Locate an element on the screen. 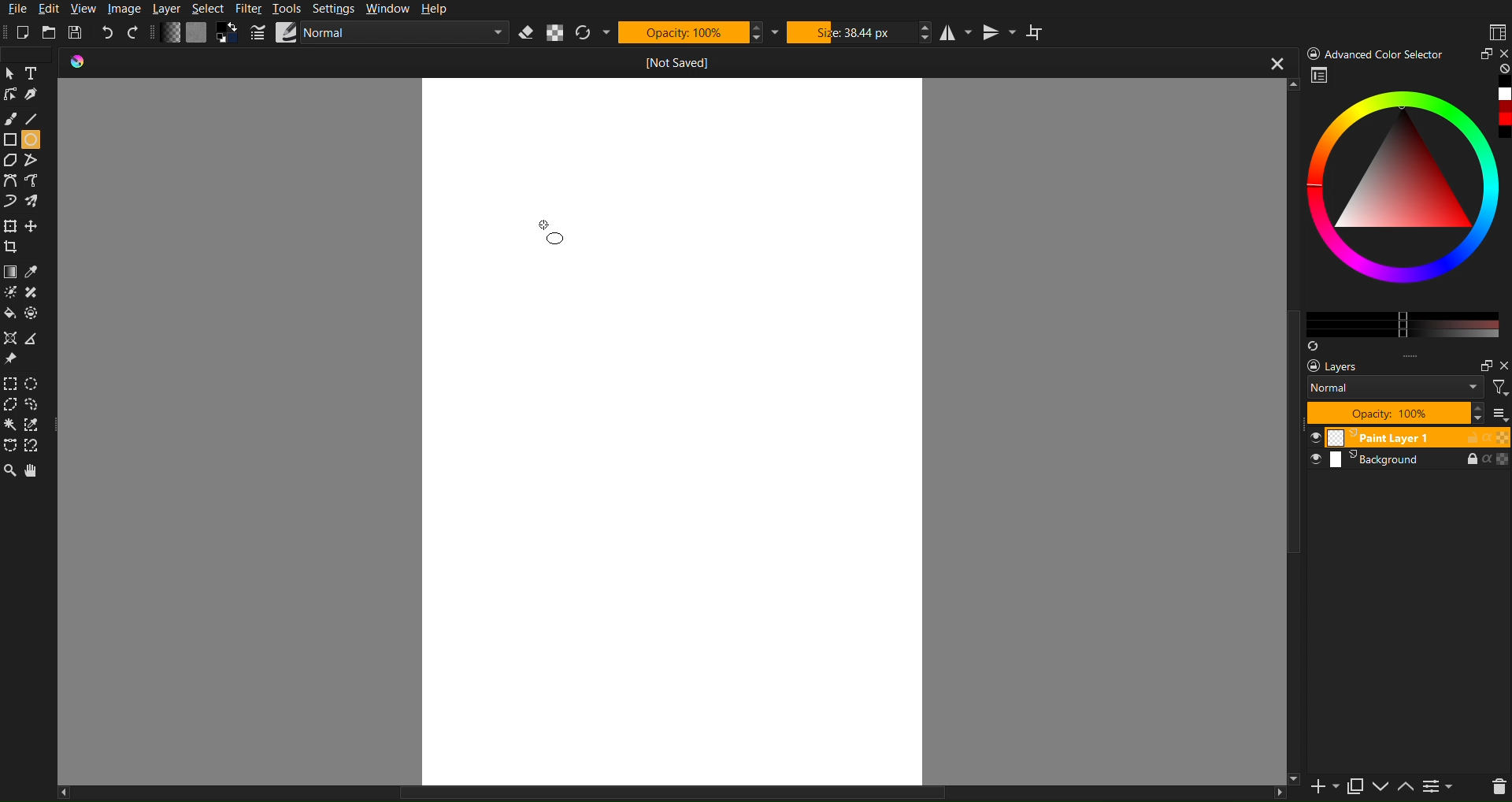 The image size is (1512, 802). vertical scroll bar is located at coordinates (1284, 389).